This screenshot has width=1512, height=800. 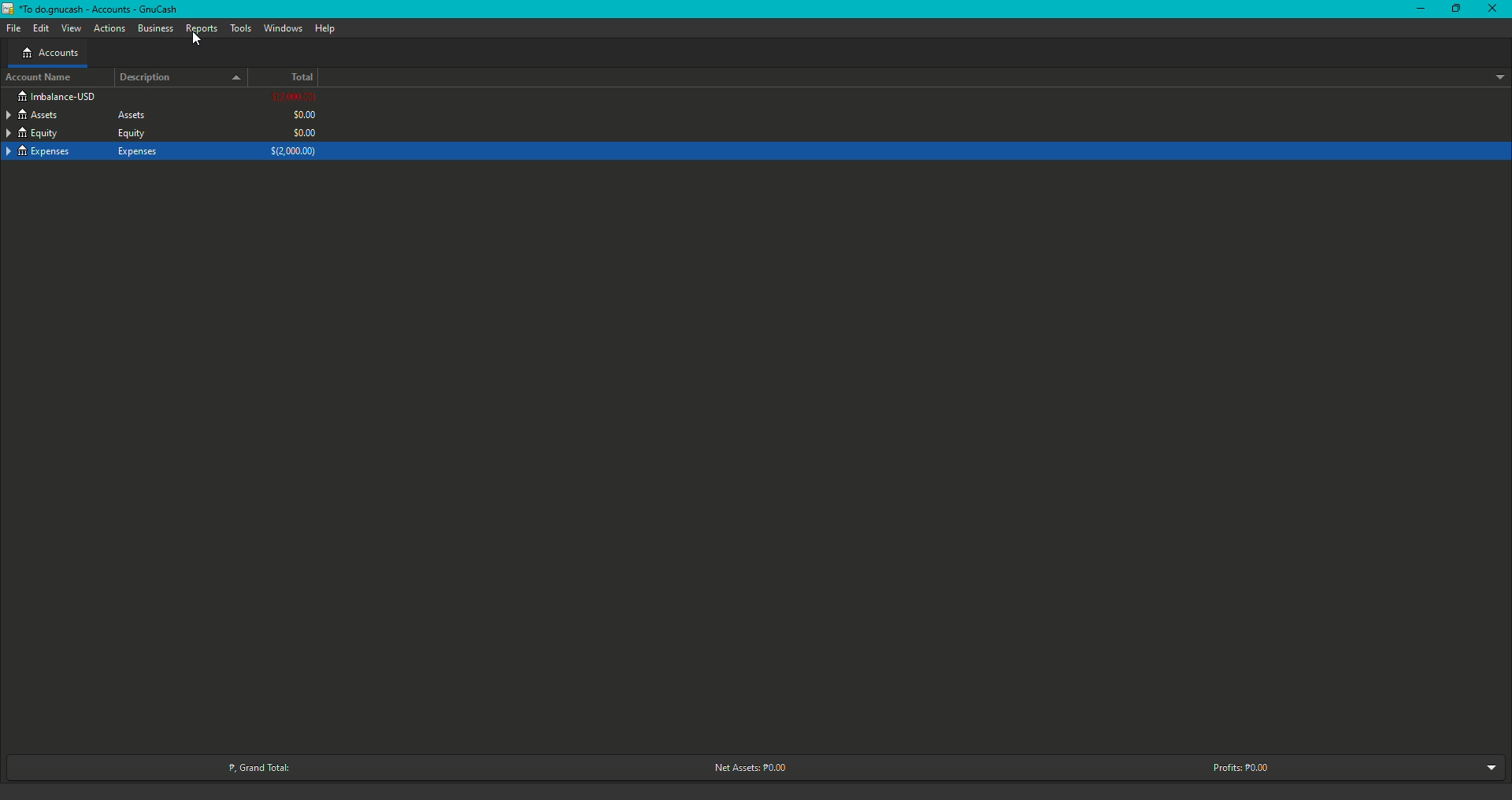 I want to click on Grand Total, so click(x=266, y=766).